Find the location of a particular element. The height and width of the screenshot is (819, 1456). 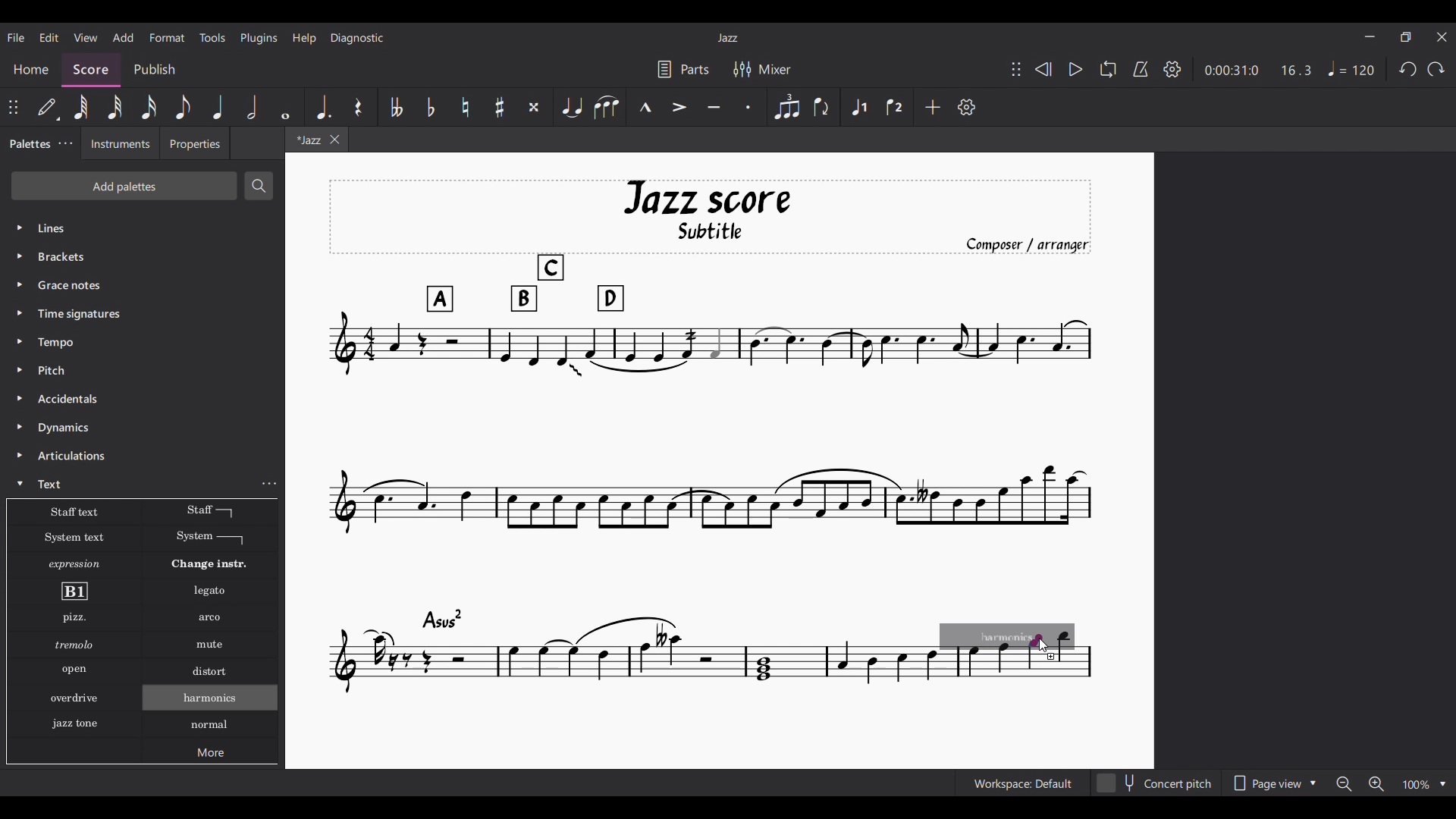

Toggle double flat is located at coordinates (395, 107).